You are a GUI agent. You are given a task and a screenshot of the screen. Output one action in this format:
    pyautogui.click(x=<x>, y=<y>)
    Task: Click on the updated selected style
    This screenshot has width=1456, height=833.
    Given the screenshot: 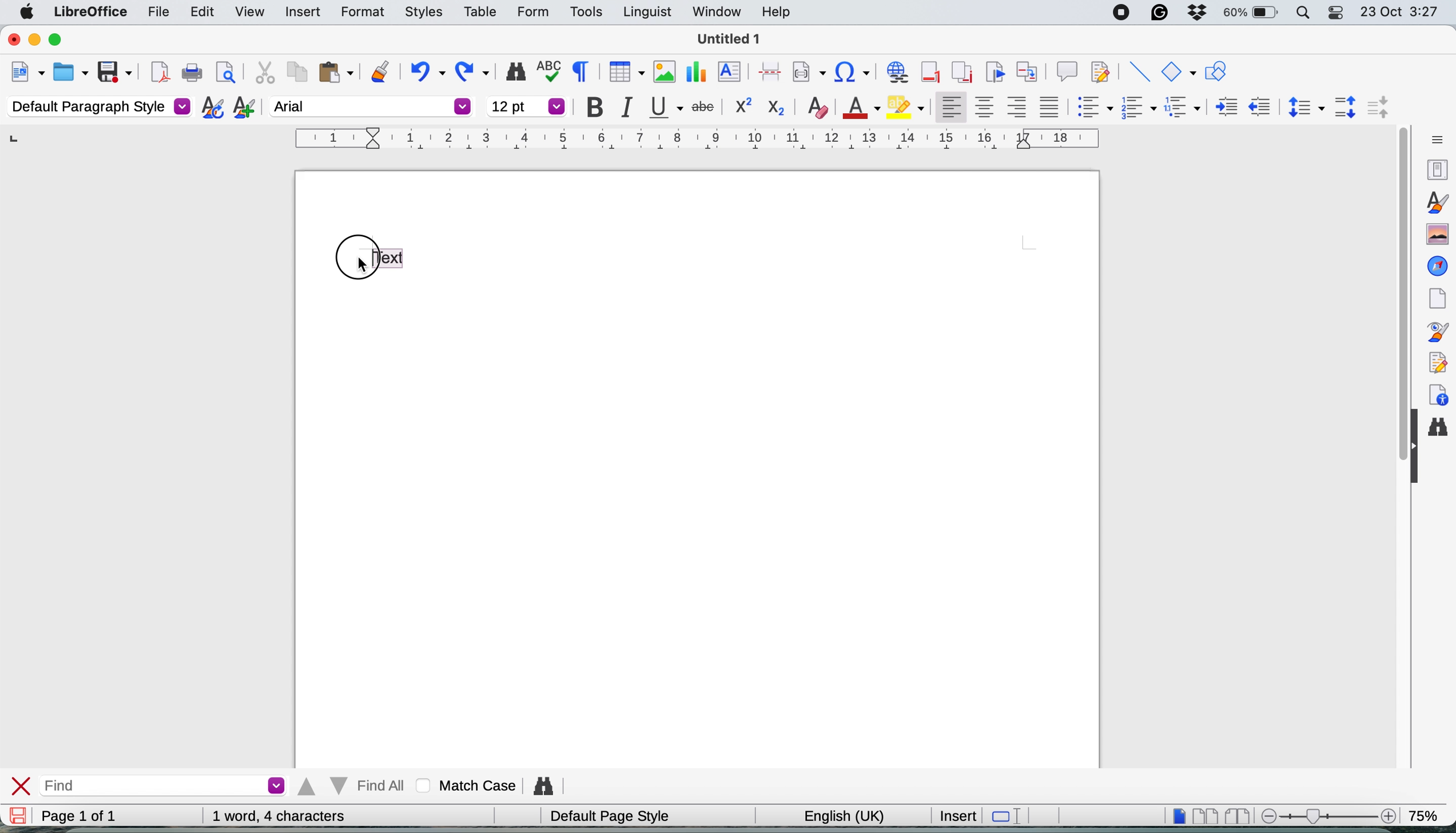 What is the action you would take?
    pyautogui.click(x=209, y=108)
    